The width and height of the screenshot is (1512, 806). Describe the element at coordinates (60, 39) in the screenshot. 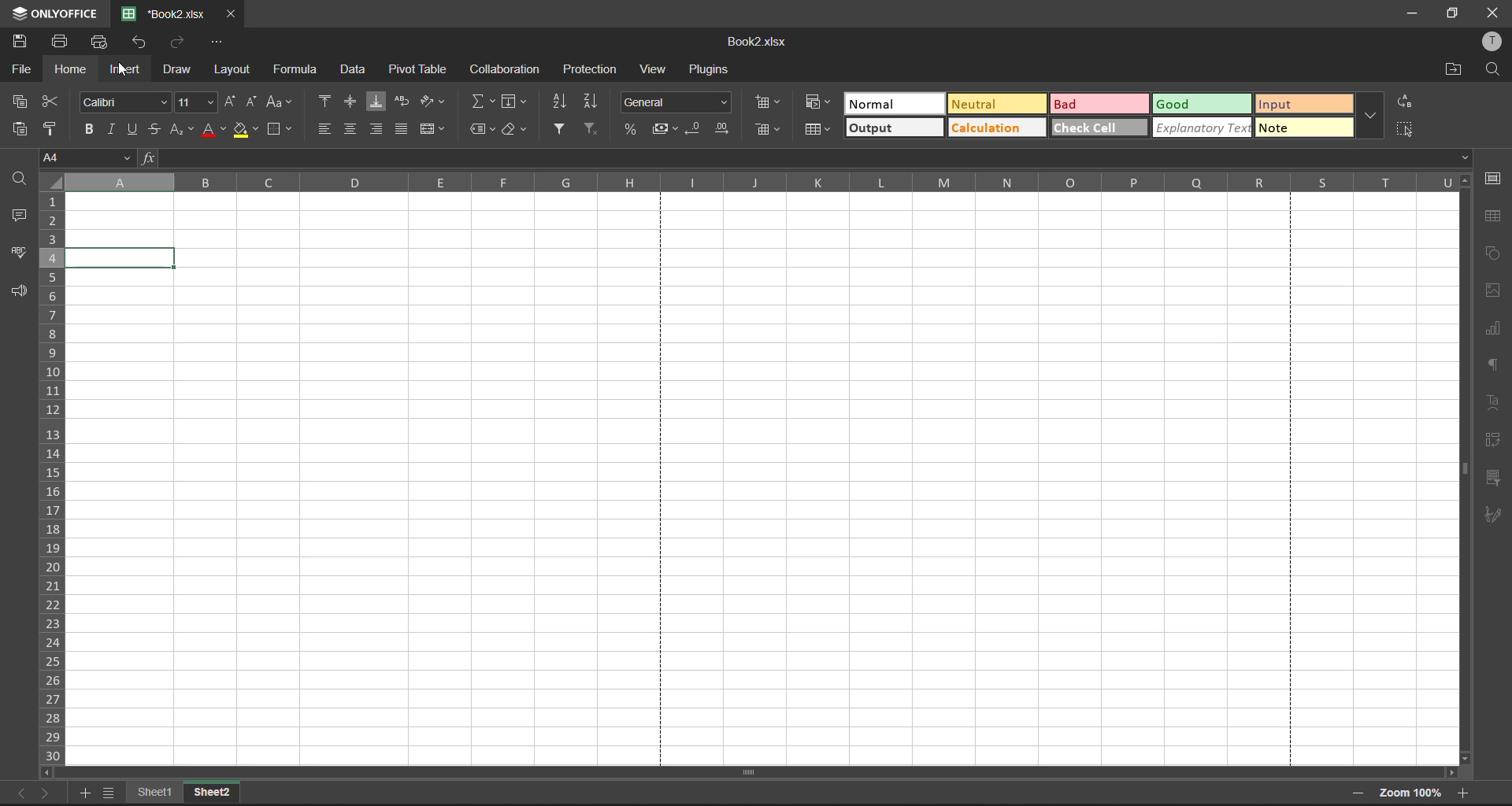

I see `print` at that location.